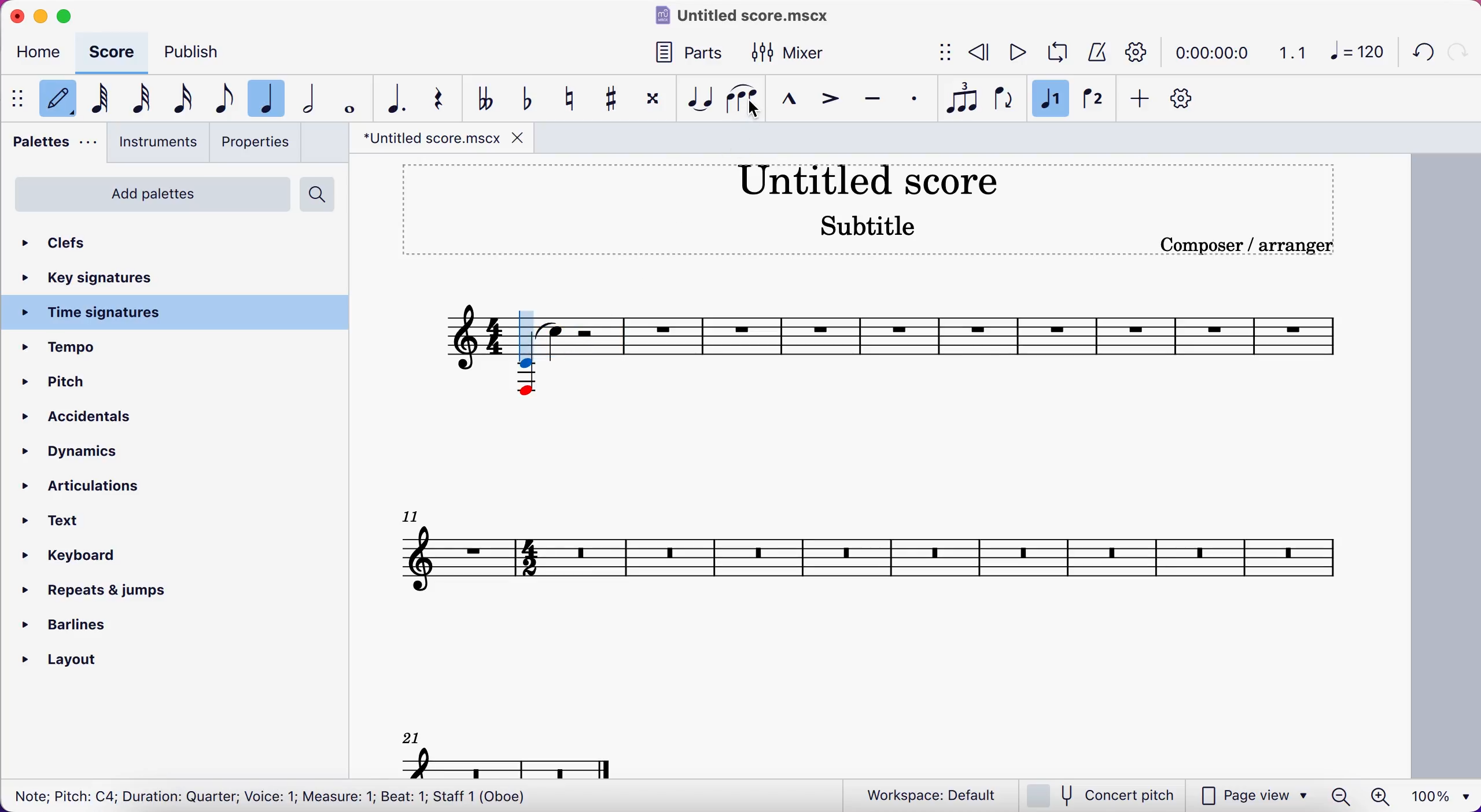  I want to click on default, so click(61, 102).